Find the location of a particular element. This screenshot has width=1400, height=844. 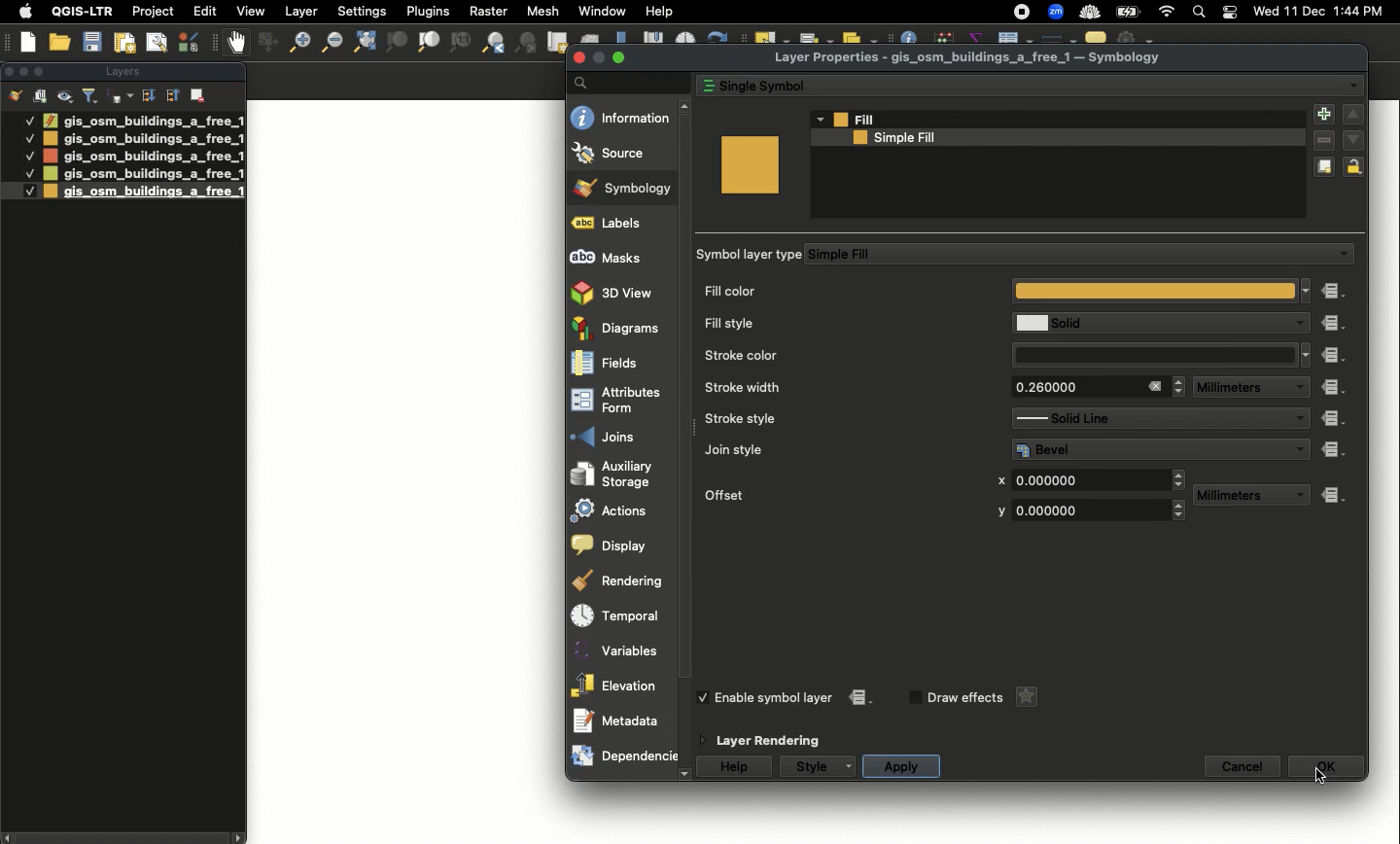

Open the layer styling panel is located at coordinates (16, 96).